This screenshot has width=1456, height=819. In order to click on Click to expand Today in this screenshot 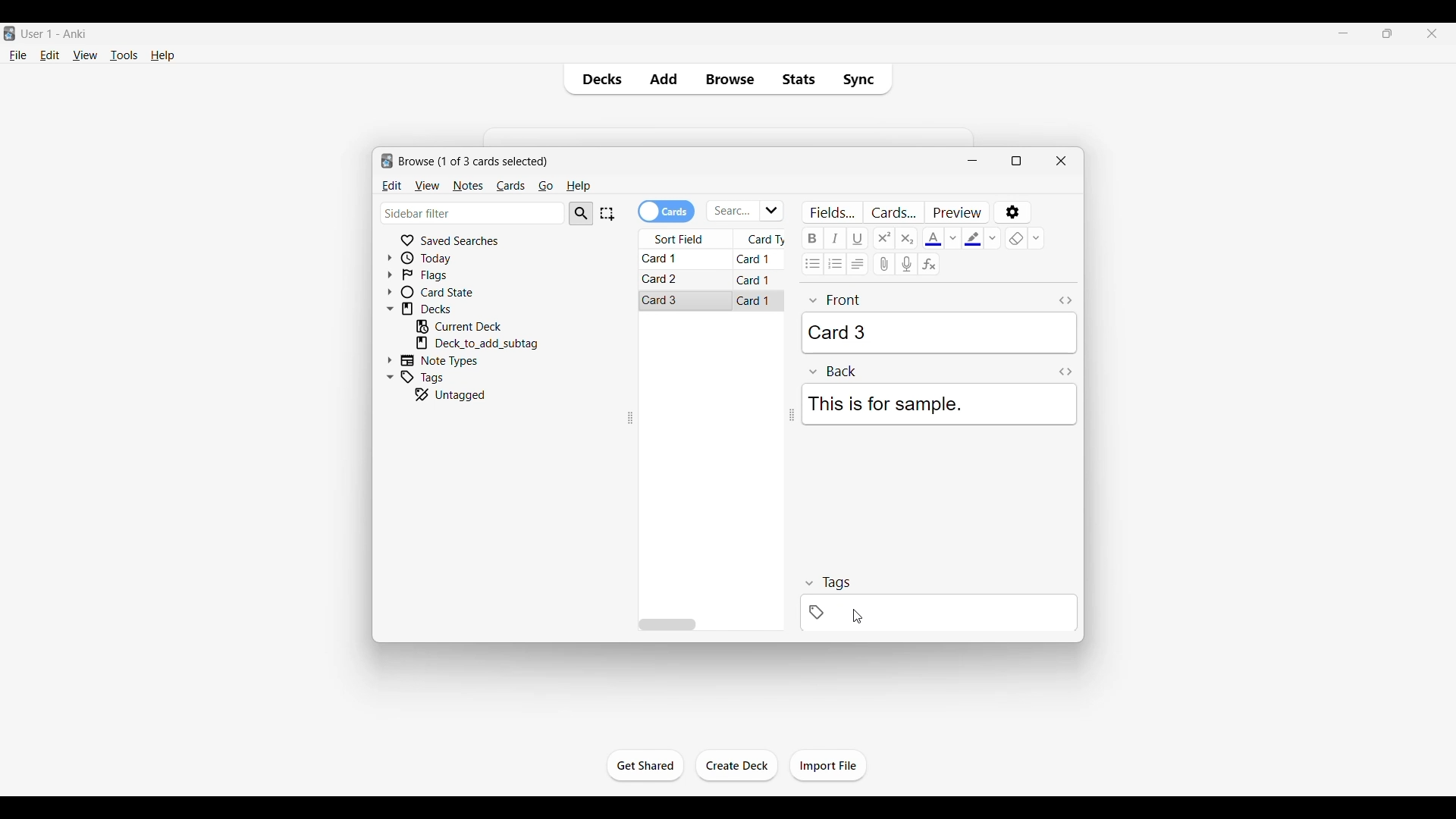, I will do `click(389, 258)`.